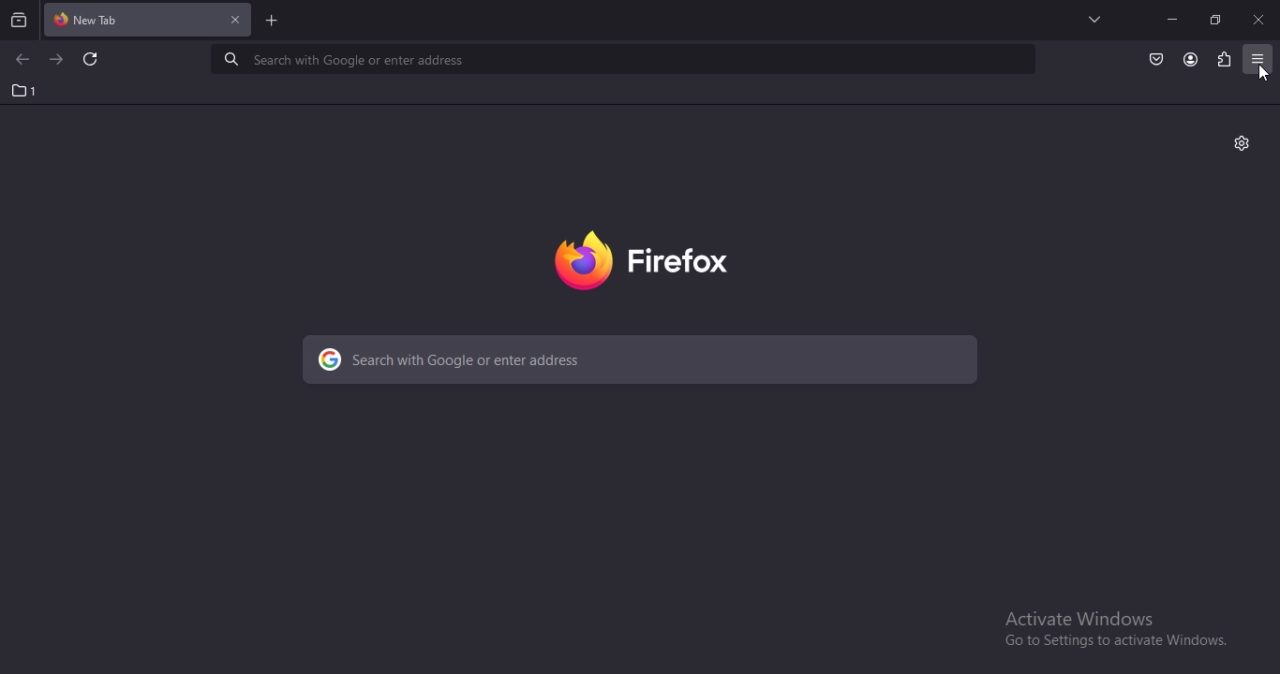 This screenshot has width=1280, height=674. Describe the element at coordinates (1258, 18) in the screenshot. I see `close` at that location.